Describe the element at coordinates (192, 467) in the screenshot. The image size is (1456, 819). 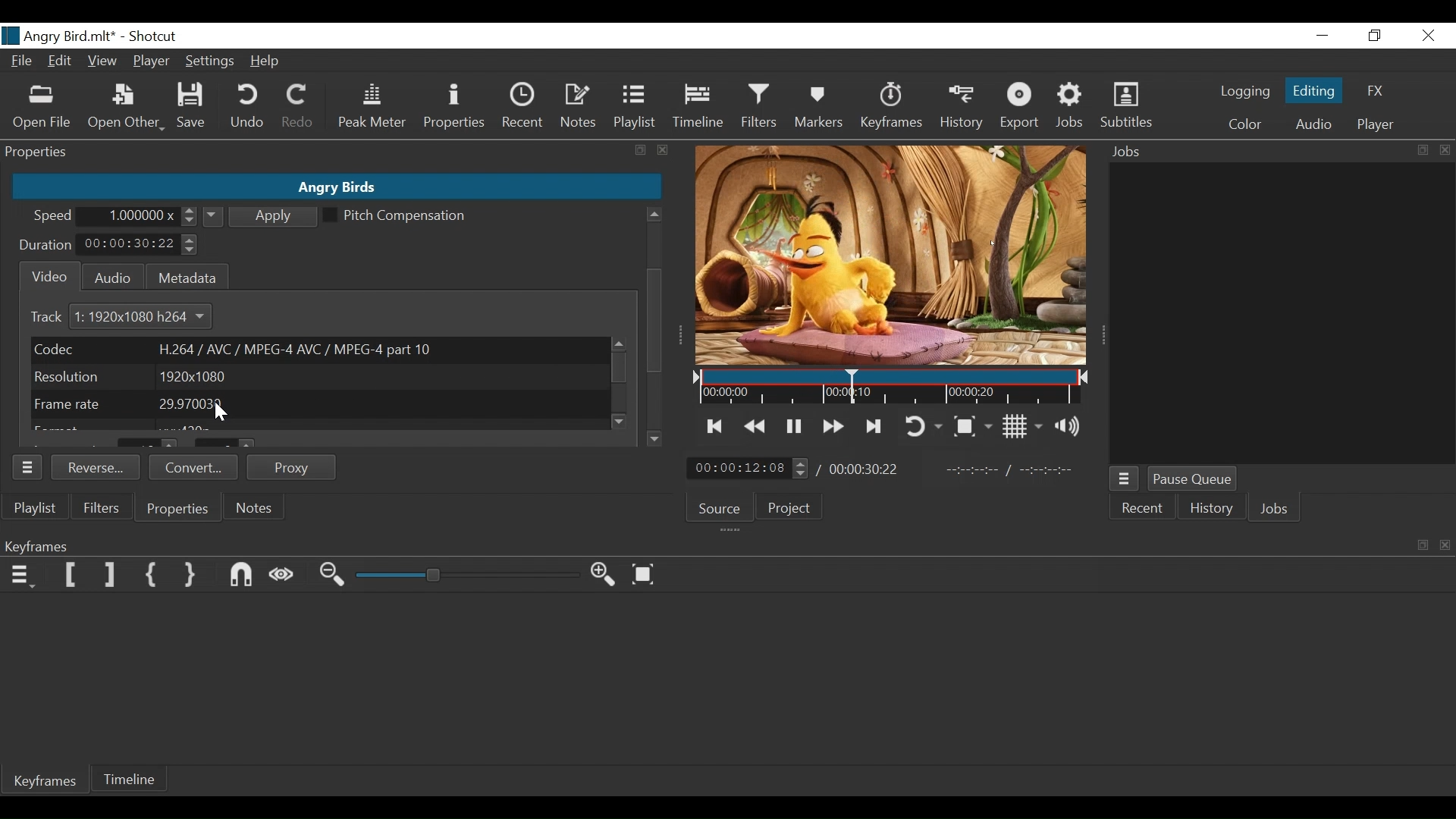
I see `Convert` at that location.